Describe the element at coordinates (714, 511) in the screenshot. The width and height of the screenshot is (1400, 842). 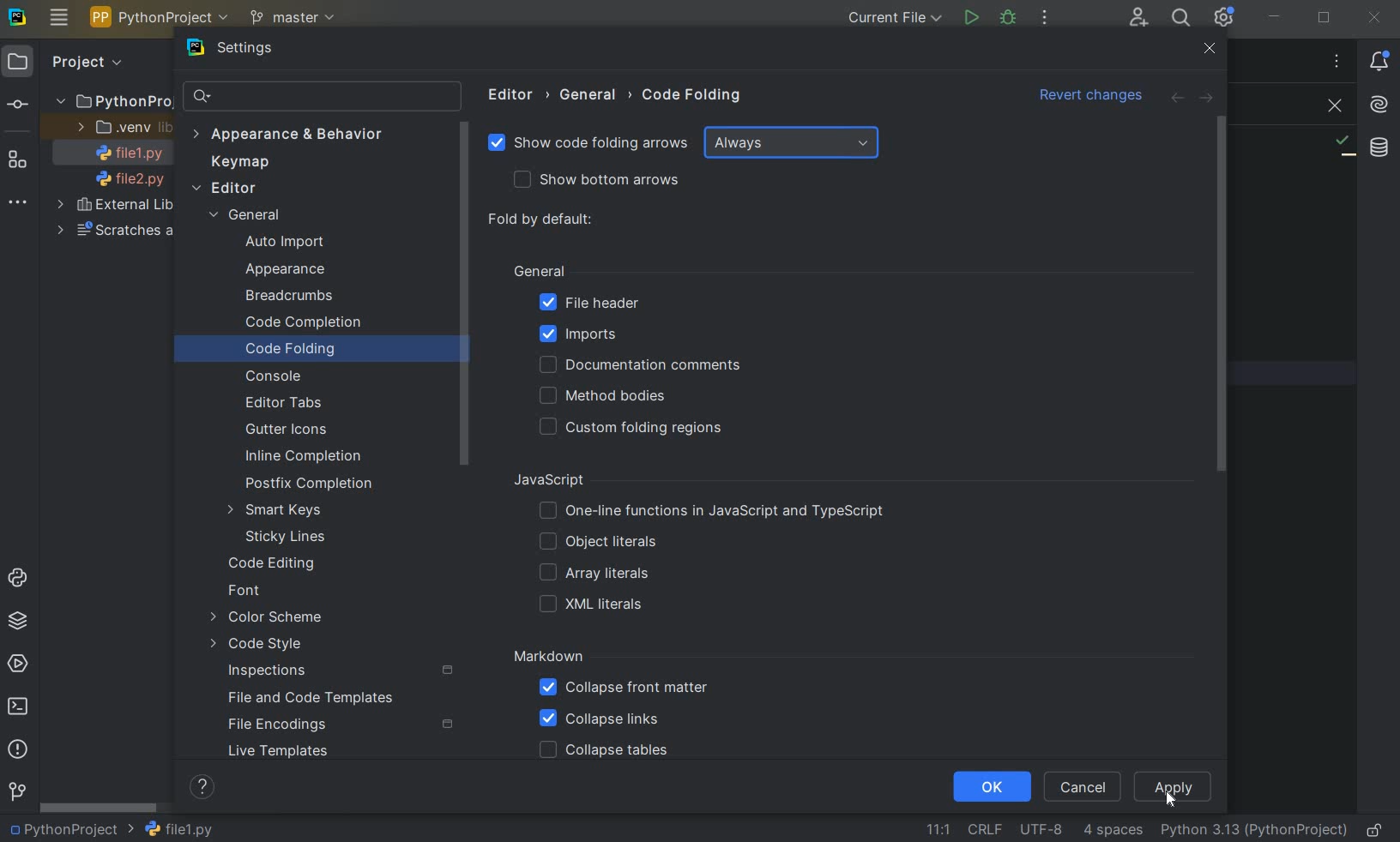
I see `ONE-LINE FUNCTIONS IN JAVASCRIPT AND TYPESCRIPT` at that location.